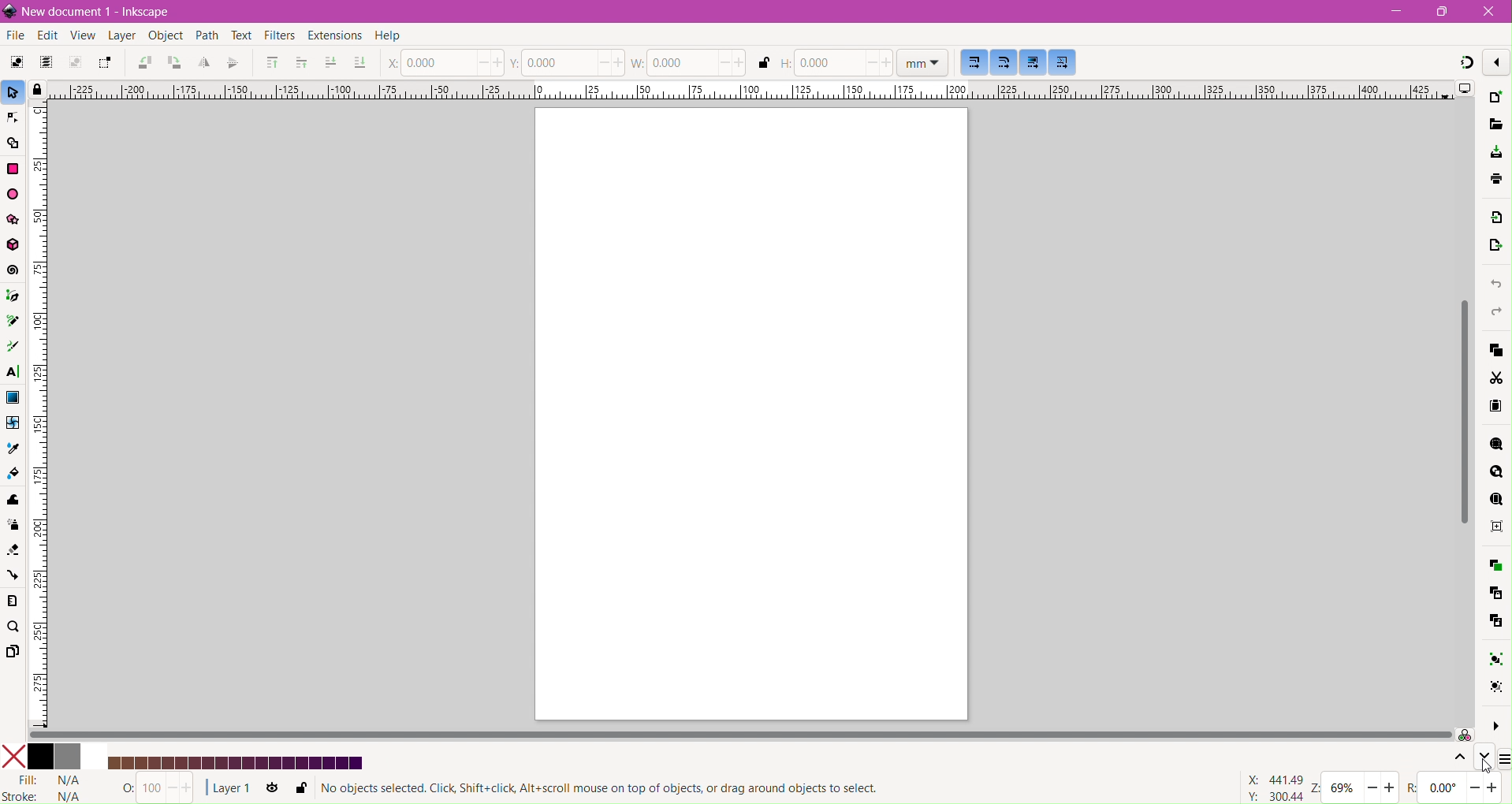 This screenshot has width=1512, height=804. What do you see at coordinates (17, 64) in the screenshot?
I see `Select All` at bounding box center [17, 64].